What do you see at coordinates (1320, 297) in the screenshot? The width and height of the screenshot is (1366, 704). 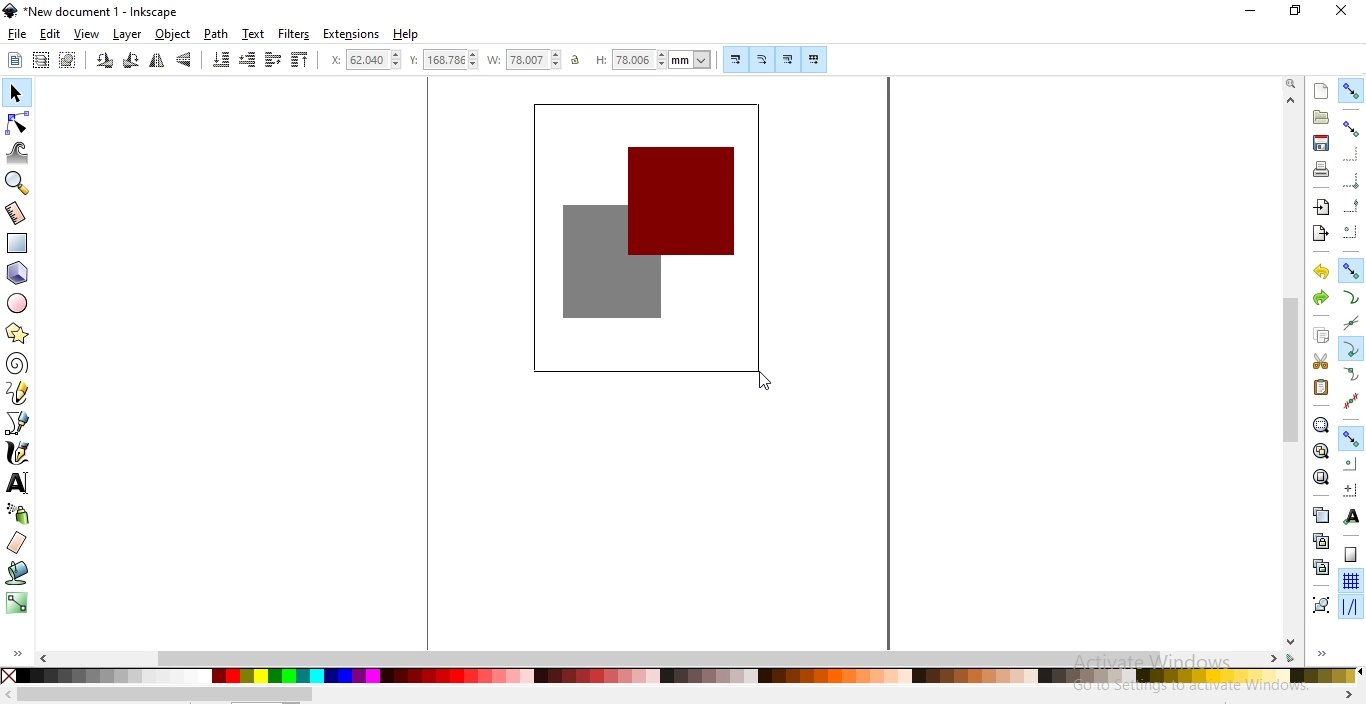 I see `redo` at bounding box center [1320, 297].